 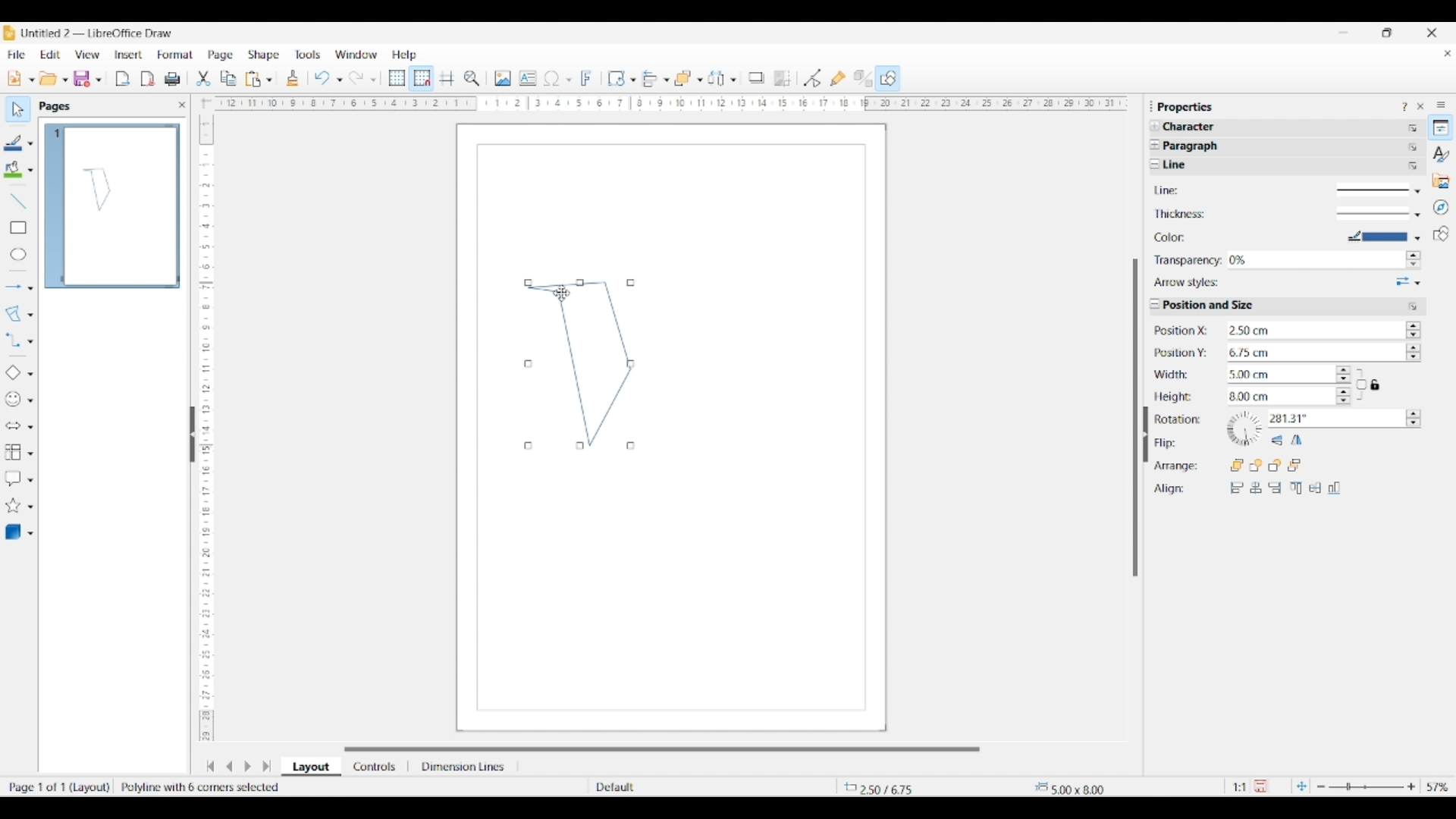 What do you see at coordinates (14, 314) in the screenshot?
I see `Selected polygon` at bounding box center [14, 314].